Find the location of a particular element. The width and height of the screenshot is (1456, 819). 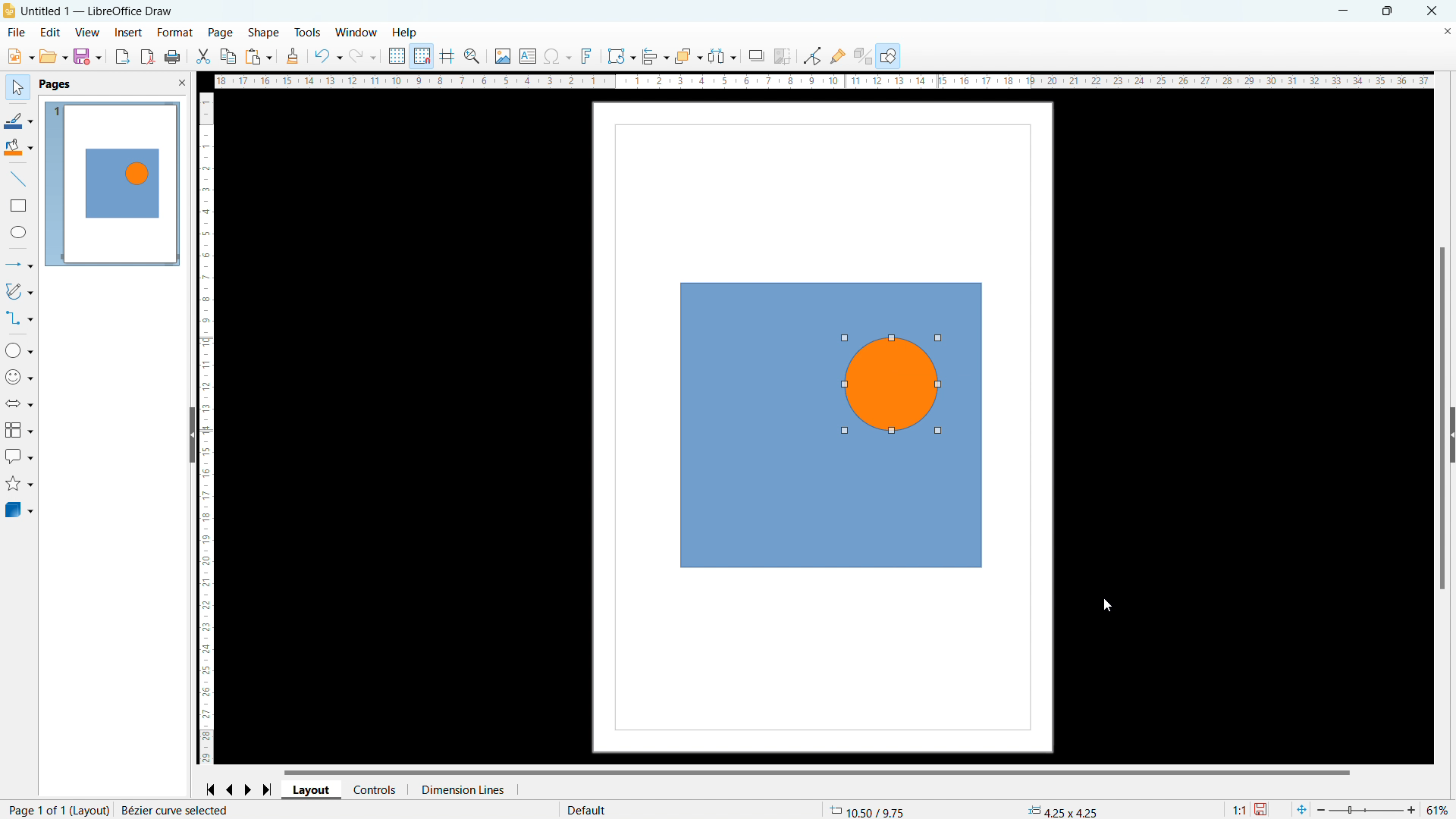

insert is located at coordinates (128, 33).